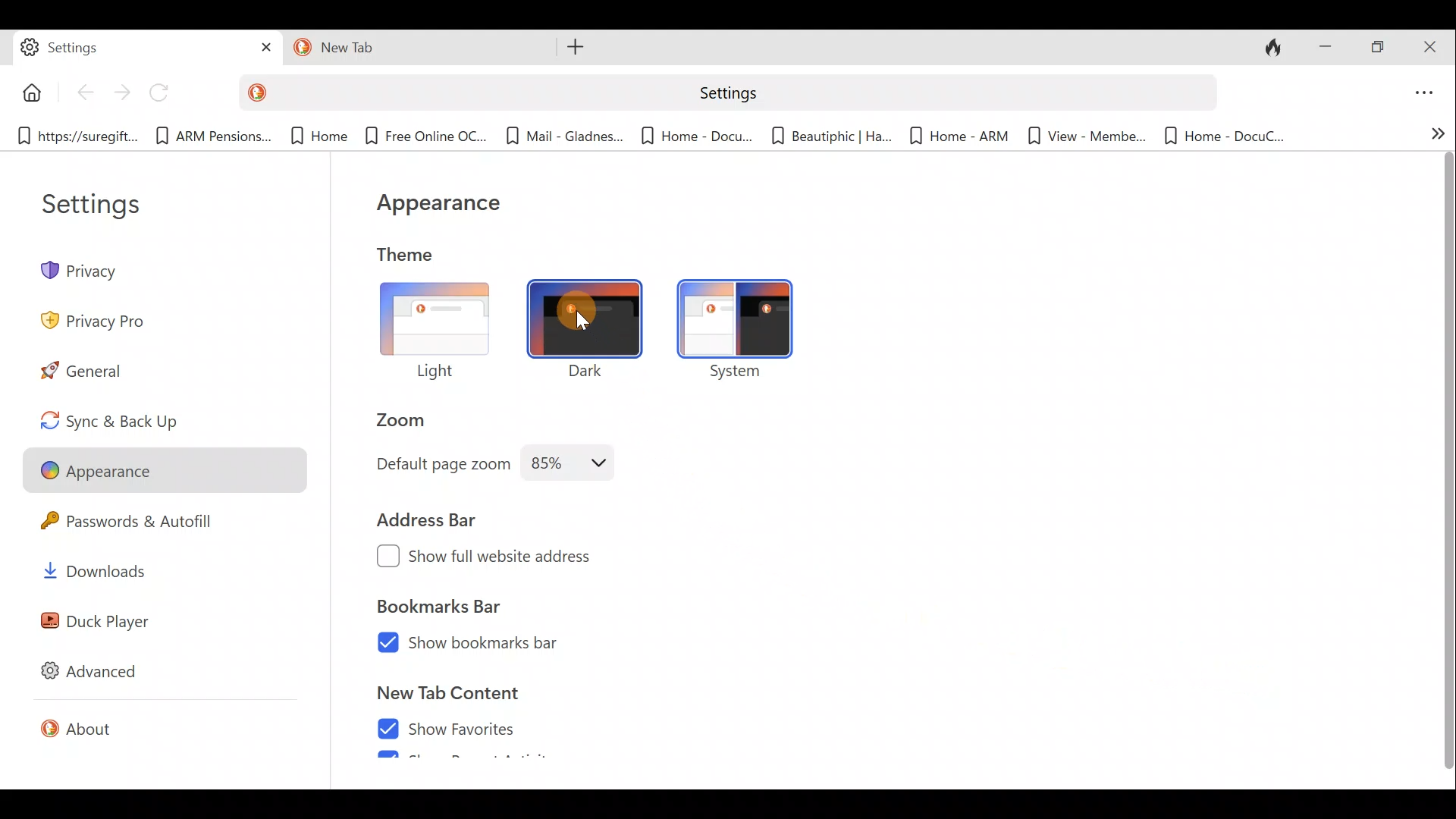  I want to click on , so click(29, 91).